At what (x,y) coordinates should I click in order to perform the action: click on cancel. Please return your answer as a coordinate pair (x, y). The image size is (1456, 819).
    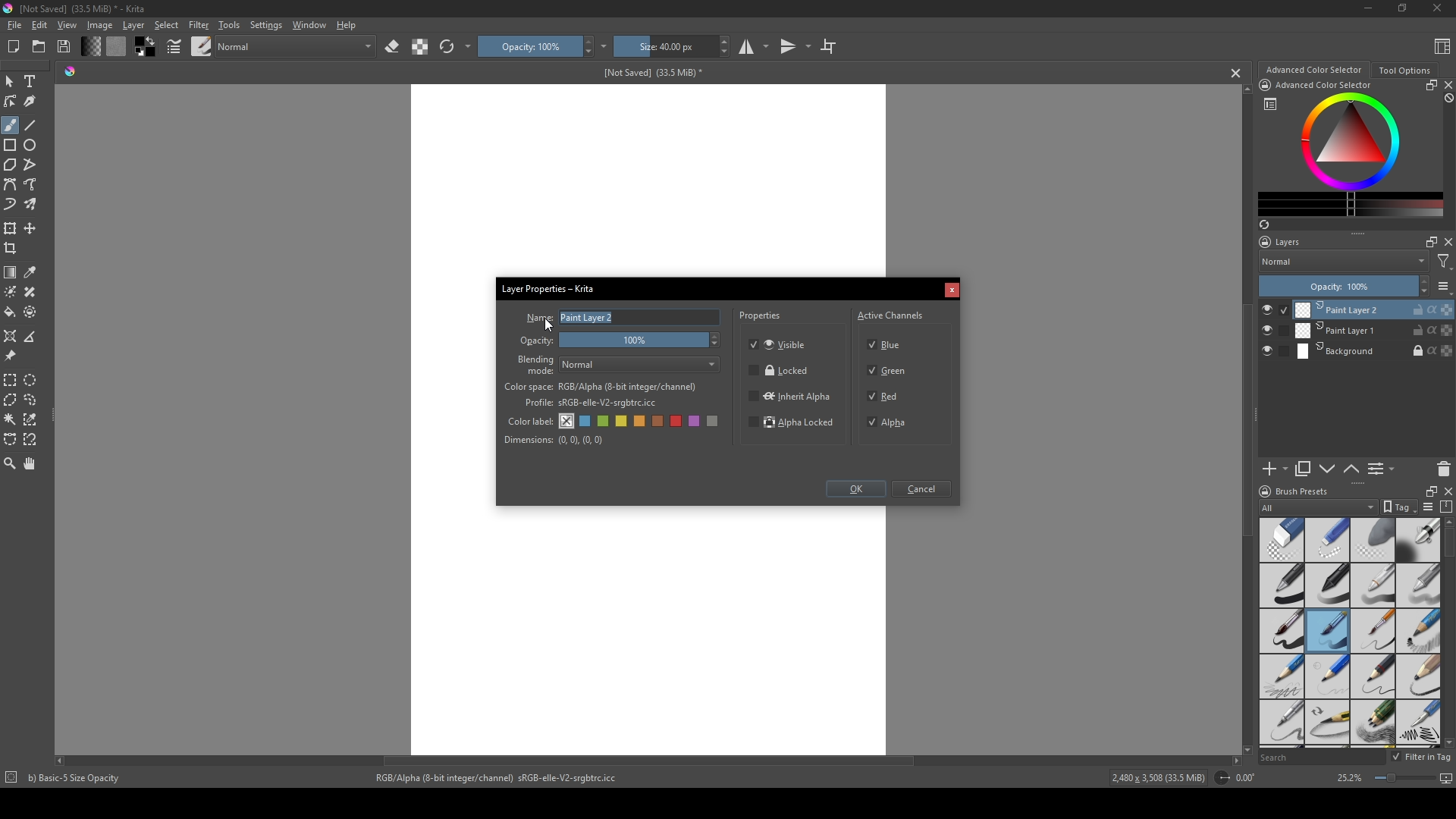
    Looking at the image, I should click on (1237, 73).